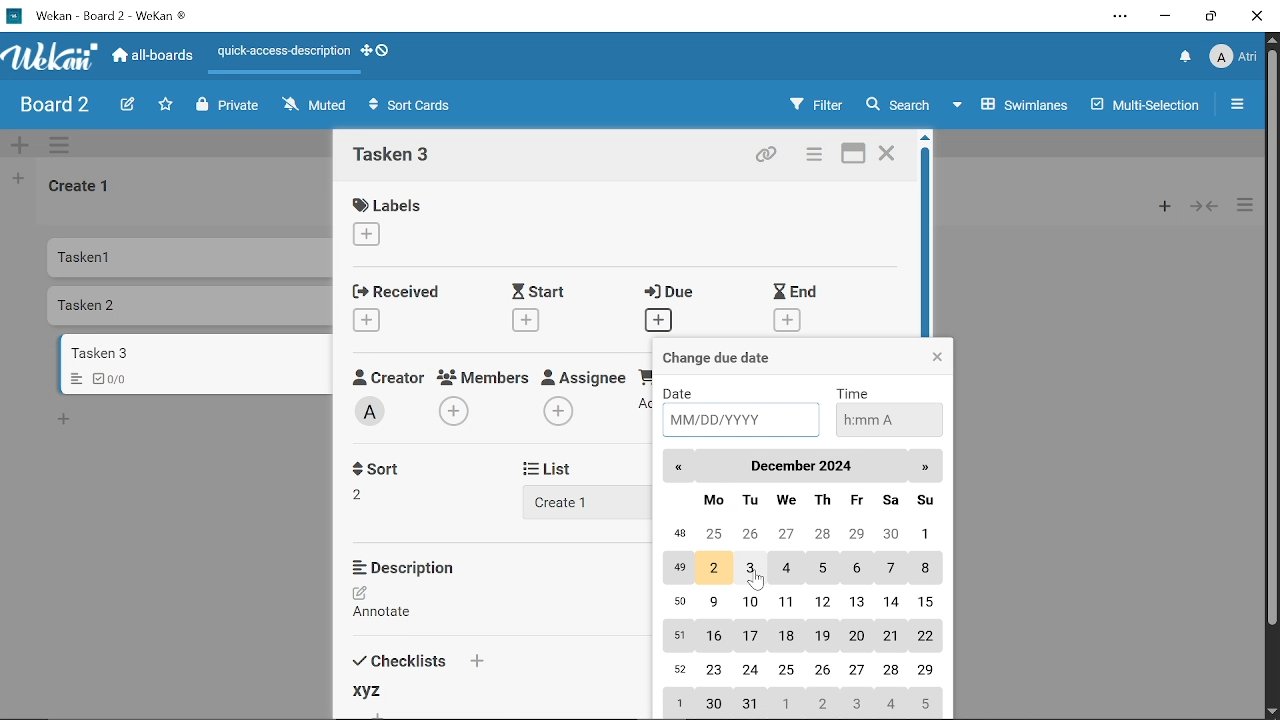 This screenshot has height=720, width=1280. Describe the element at coordinates (1258, 17) in the screenshot. I see `Close` at that location.